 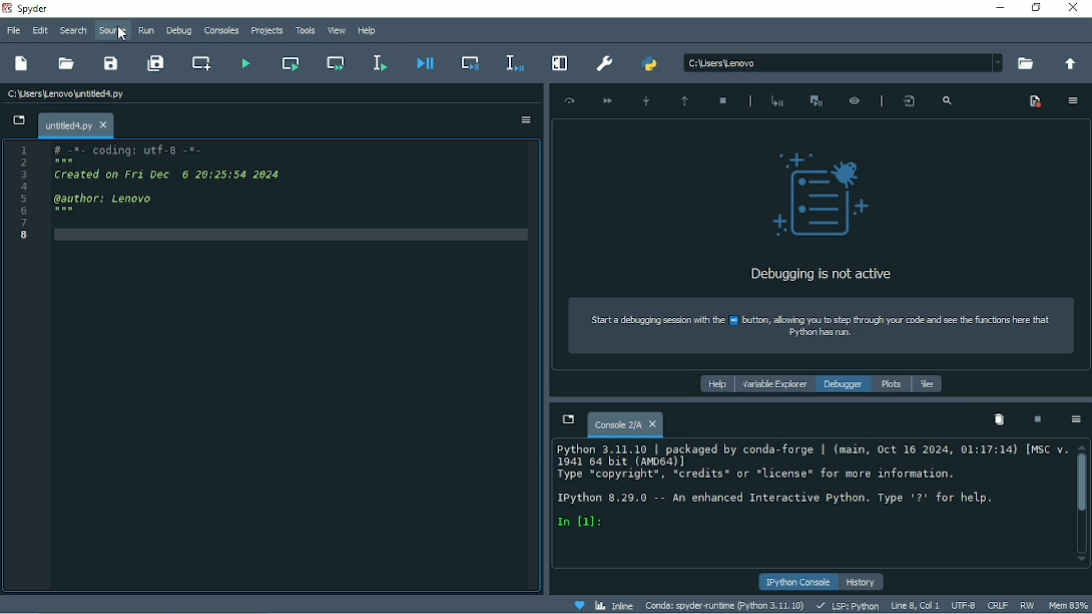 I want to click on Source, so click(x=112, y=30).